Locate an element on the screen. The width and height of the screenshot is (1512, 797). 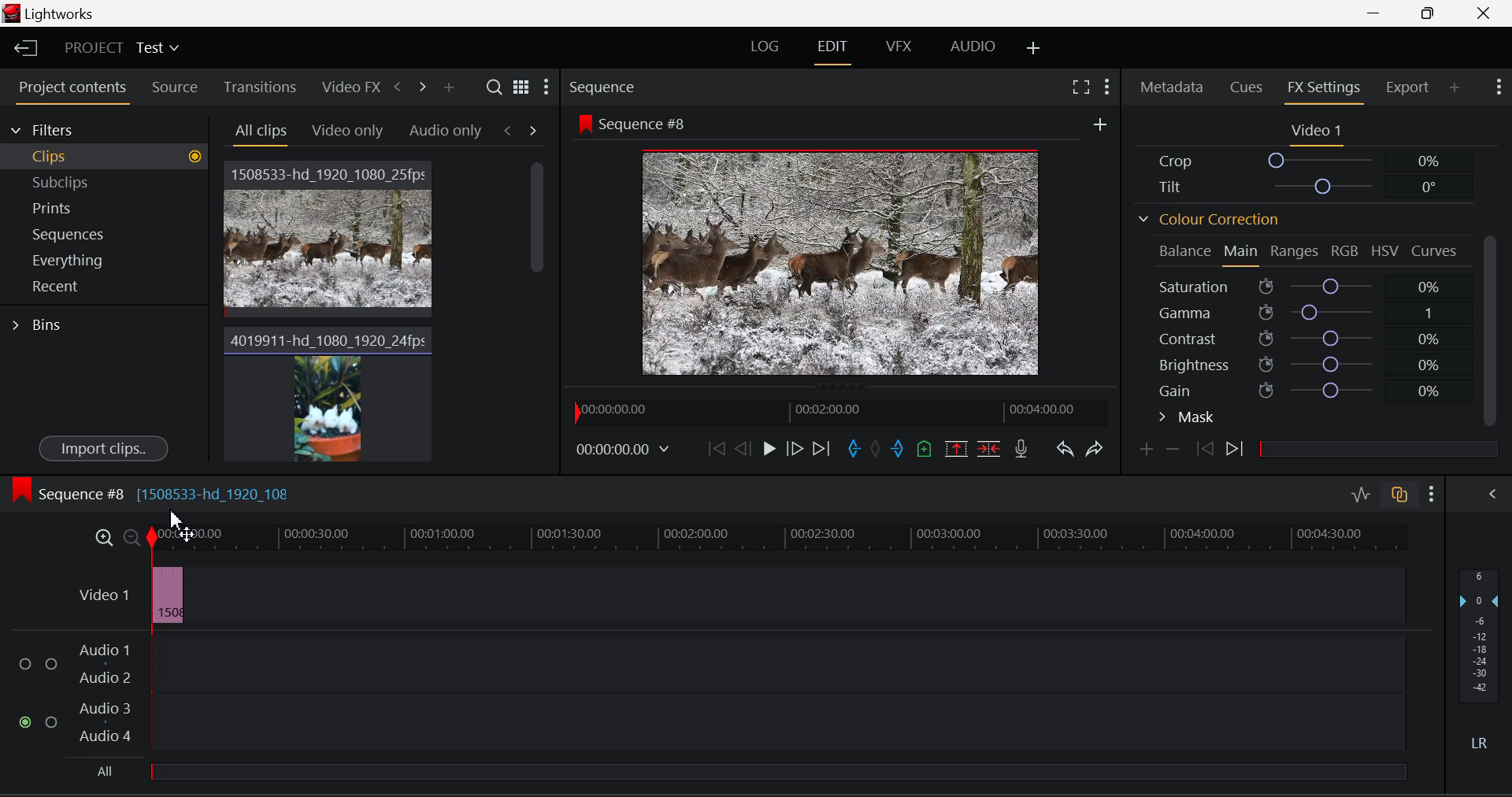
Remove marked section is located at coordinates (955, 447).